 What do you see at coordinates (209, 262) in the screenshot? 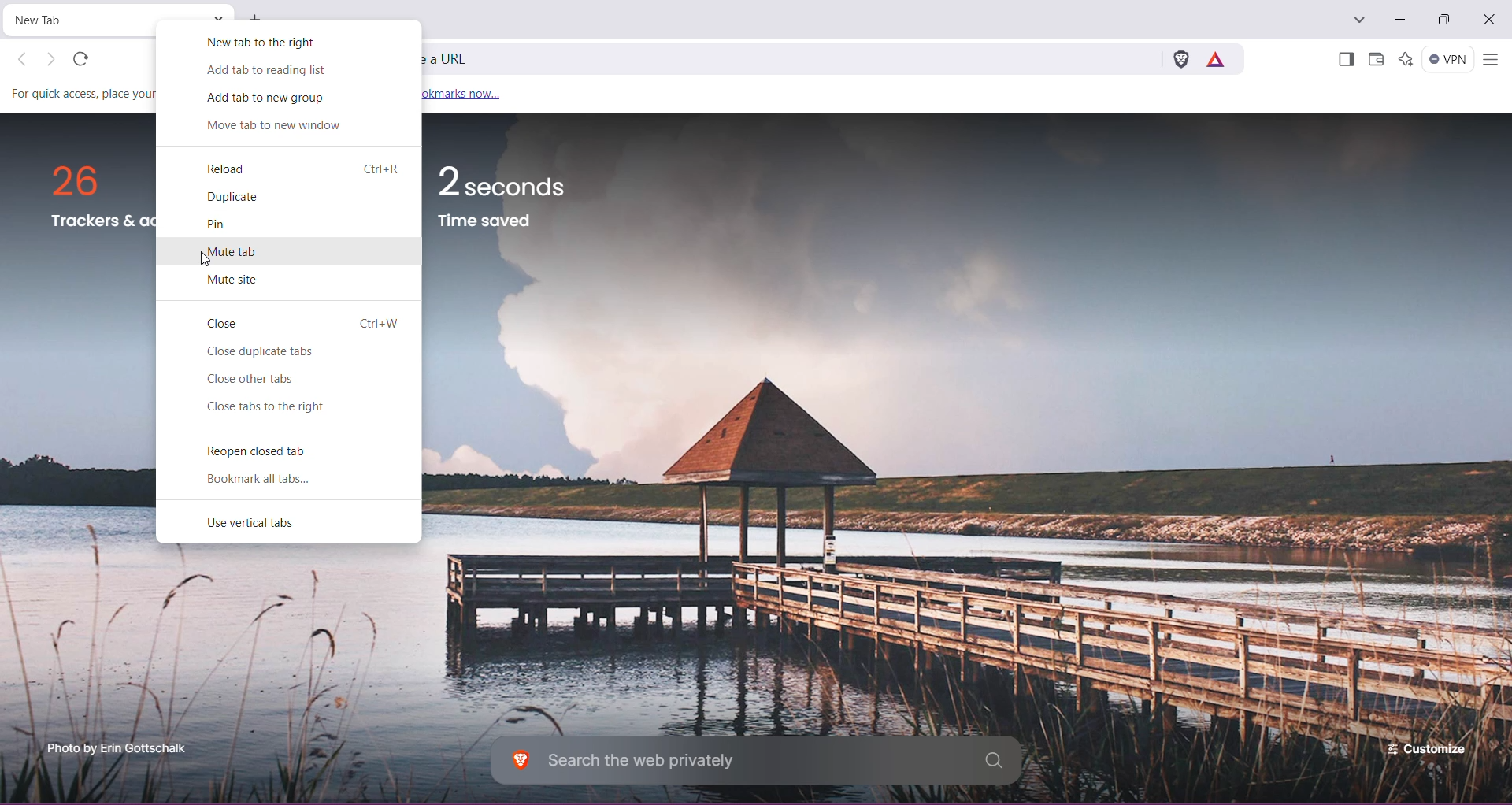
I see `cursor` at bounding box center [209, 262].